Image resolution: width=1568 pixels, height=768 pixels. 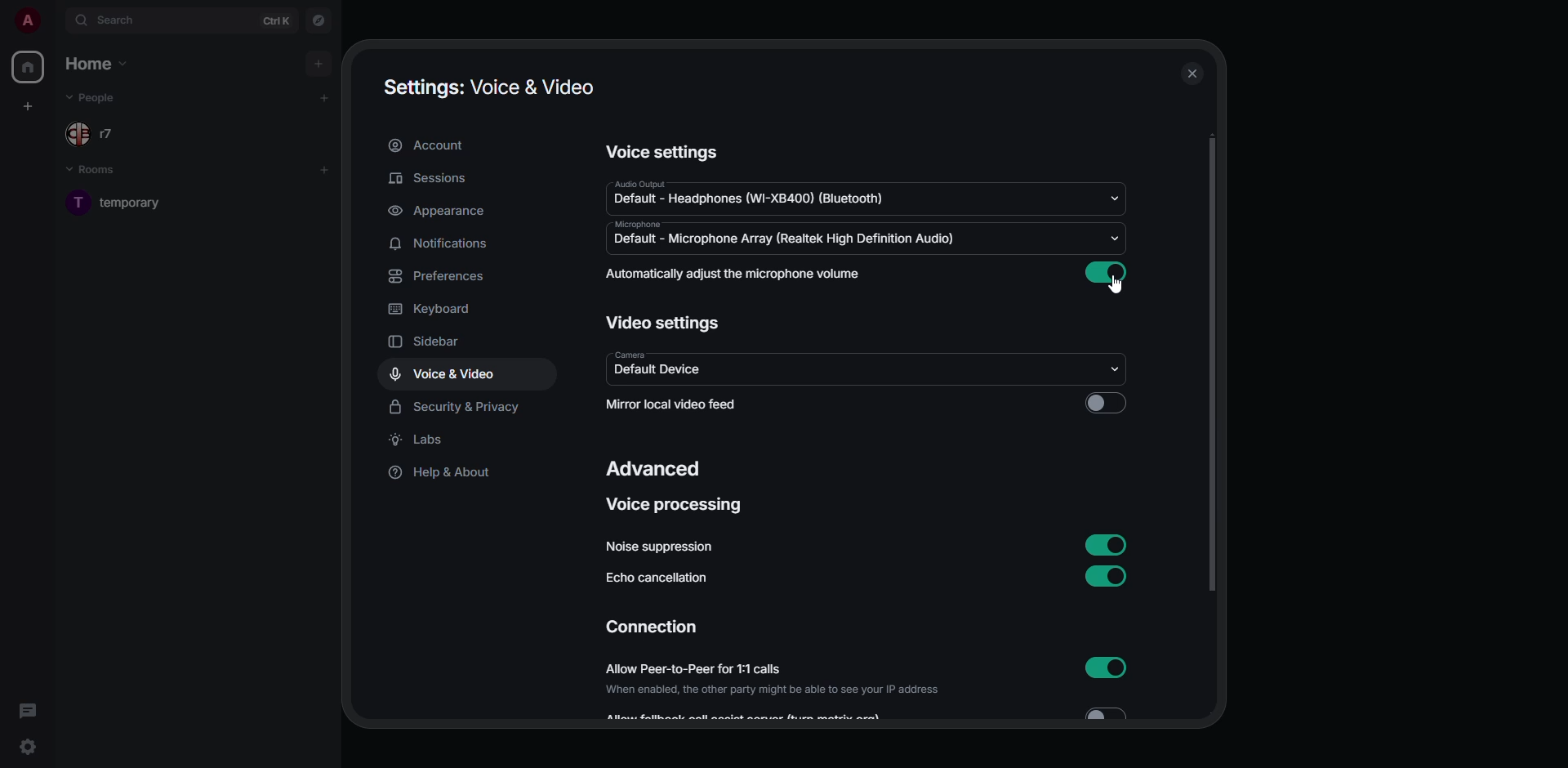 What do you see at coordinates (1120, 286) in the screenshot?
I see `cursor` at bounding box center [1120, 286].